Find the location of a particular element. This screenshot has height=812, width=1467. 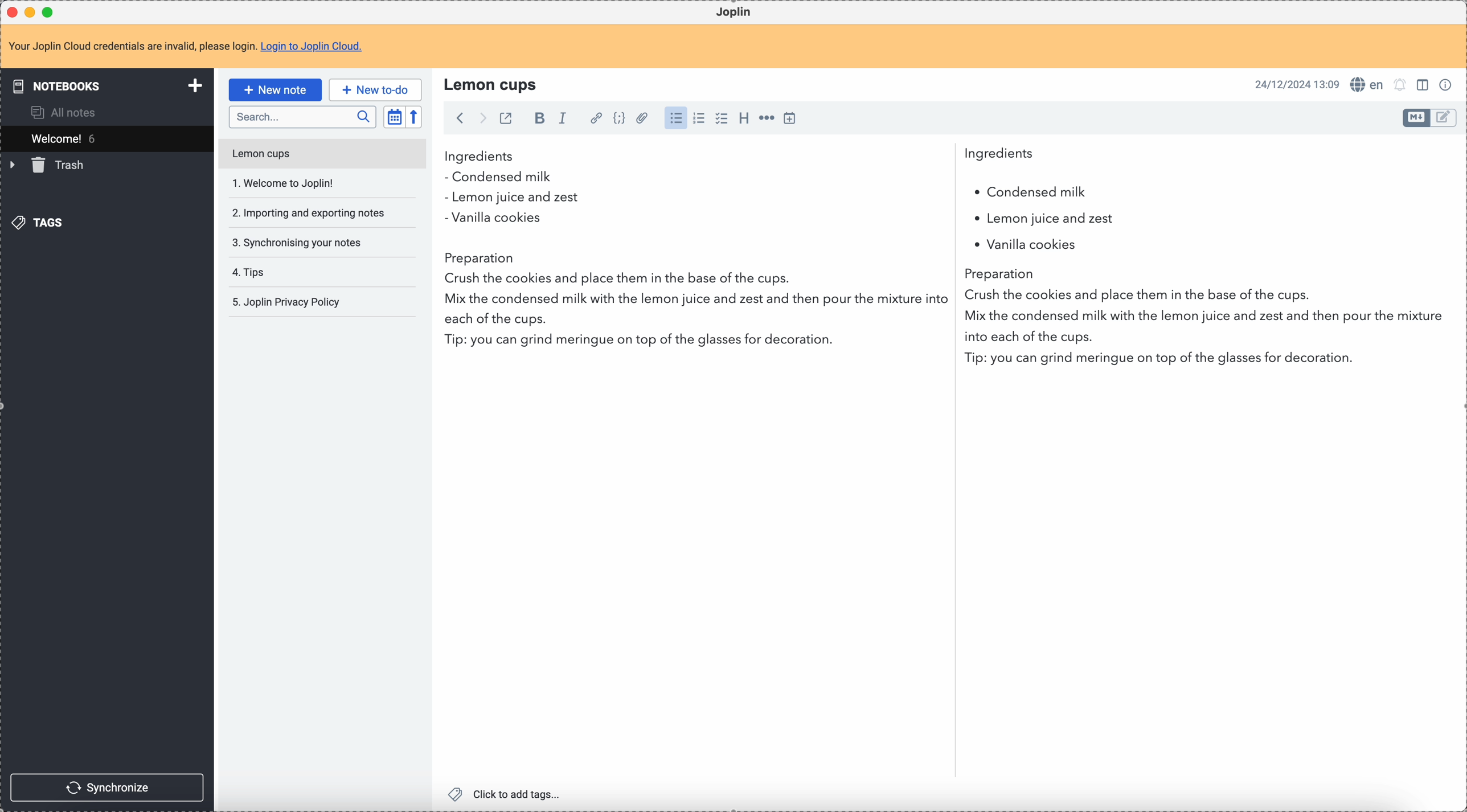

heading is located at coordinates (744, 117).